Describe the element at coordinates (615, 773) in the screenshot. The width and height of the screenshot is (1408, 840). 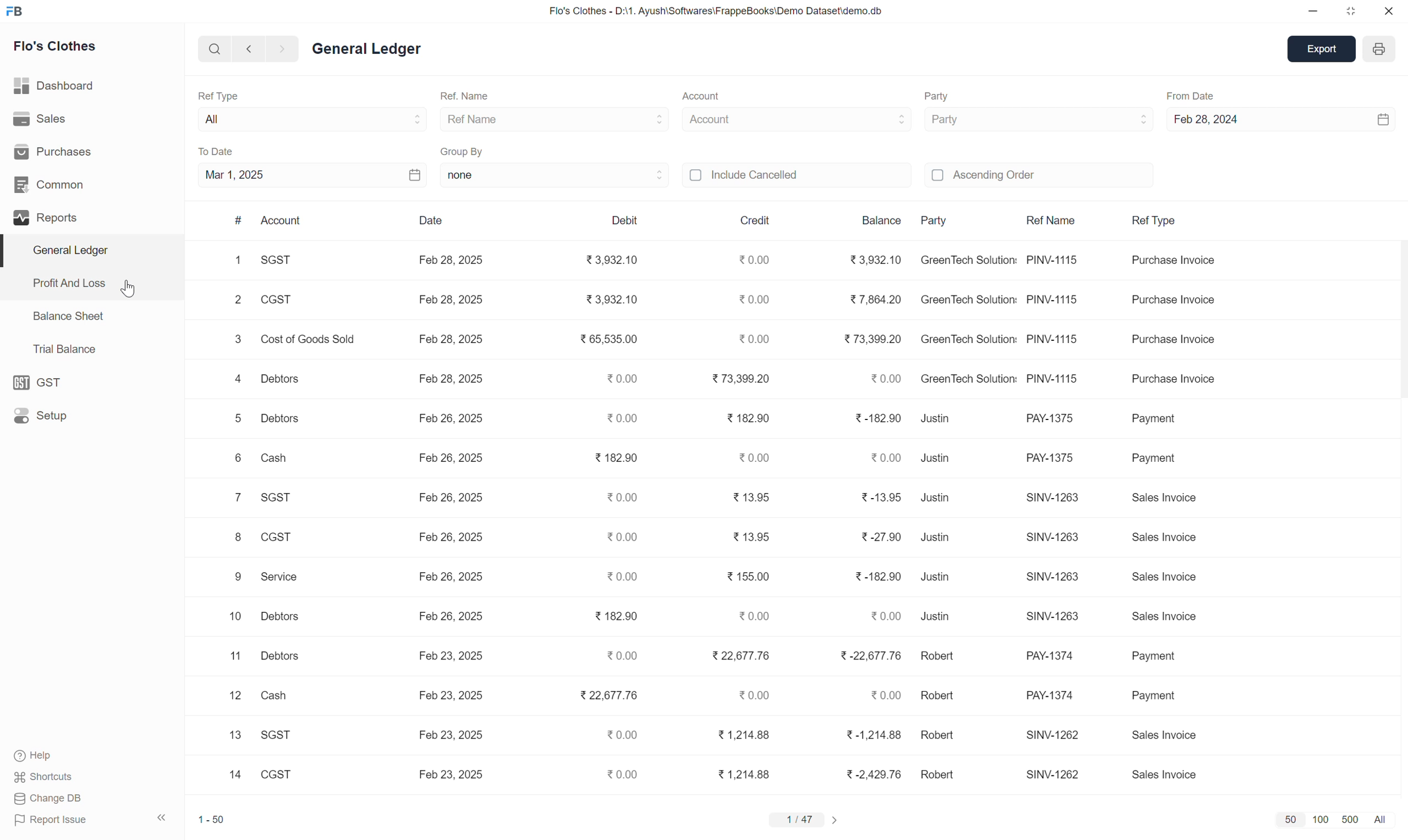
I see `₹0.00` at that location.